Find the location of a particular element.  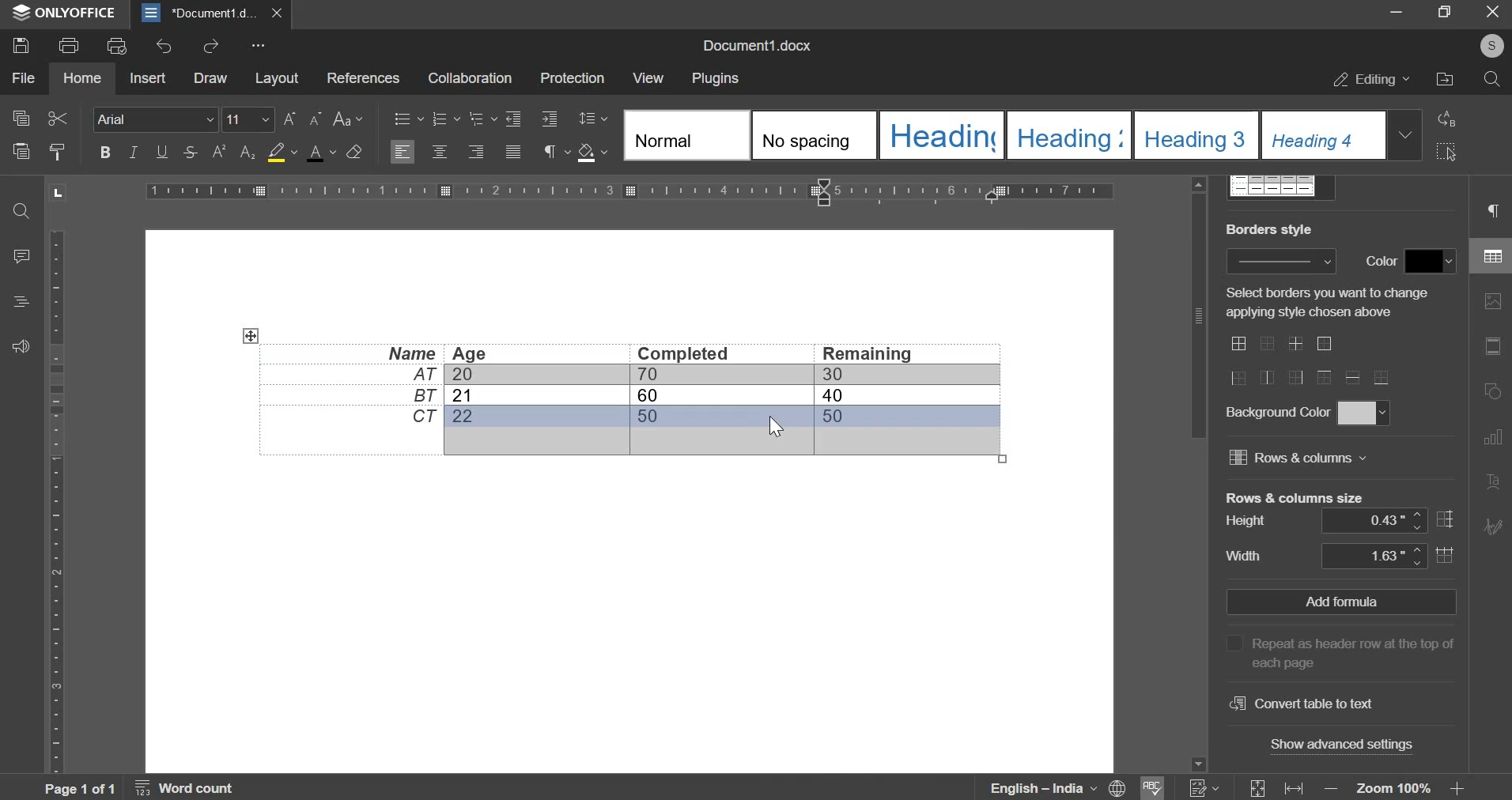

clear style is located at coordinates (354, 150).